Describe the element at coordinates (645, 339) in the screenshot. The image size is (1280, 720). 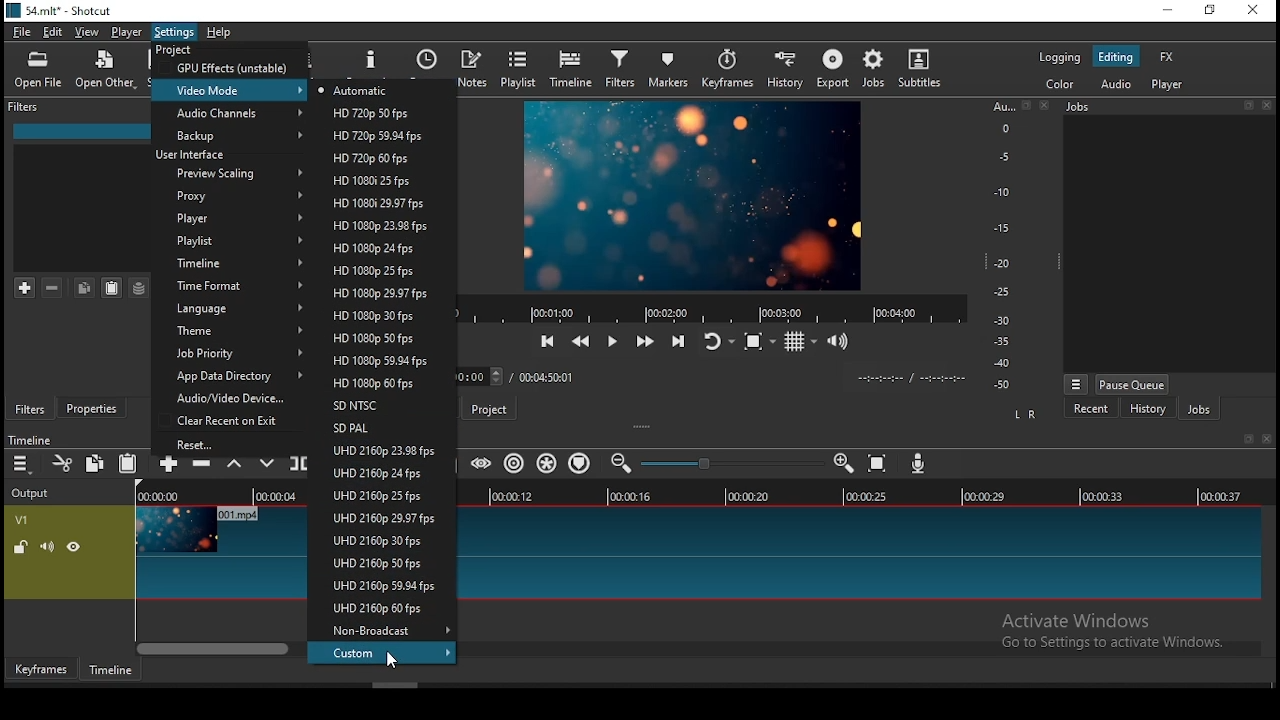
I see `play quickly forwards` at that location.